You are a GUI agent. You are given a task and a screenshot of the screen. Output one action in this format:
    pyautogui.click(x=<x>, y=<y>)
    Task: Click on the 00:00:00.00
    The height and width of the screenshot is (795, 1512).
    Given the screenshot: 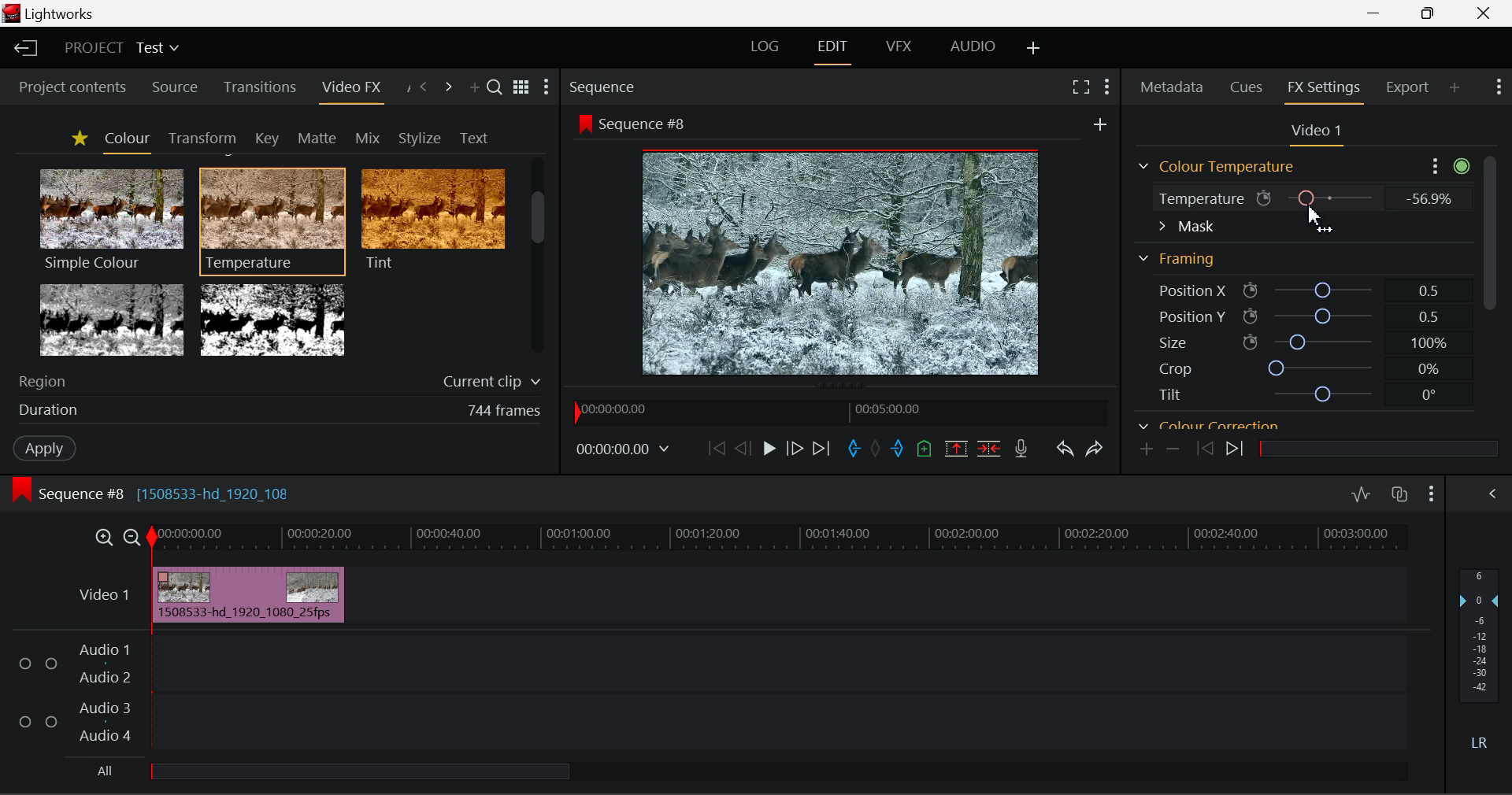 What is the action you would take?
    pyautogui.click(x=625, y=449)
    